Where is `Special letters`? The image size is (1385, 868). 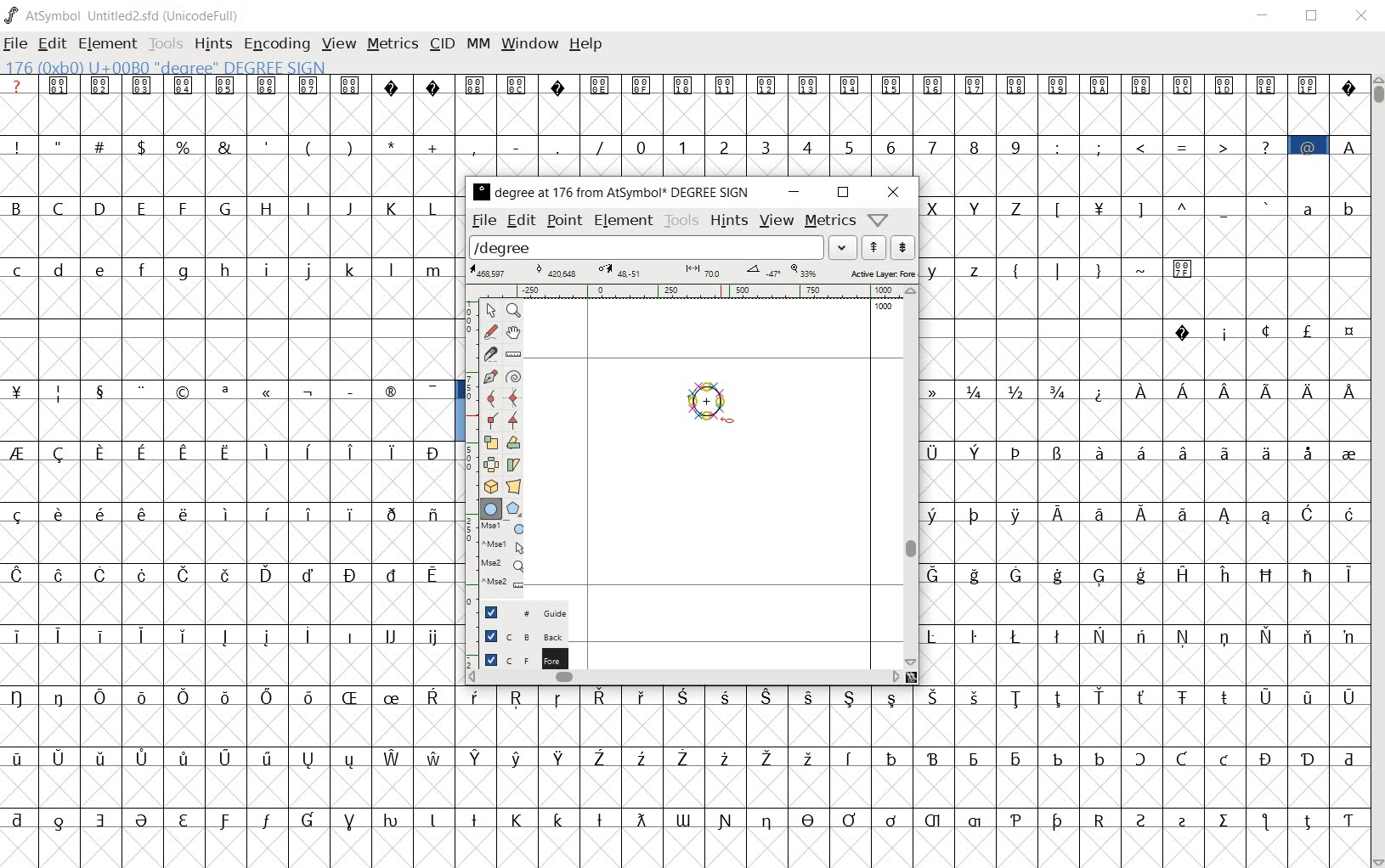 Special letters is located at coordinates (1225, 392).